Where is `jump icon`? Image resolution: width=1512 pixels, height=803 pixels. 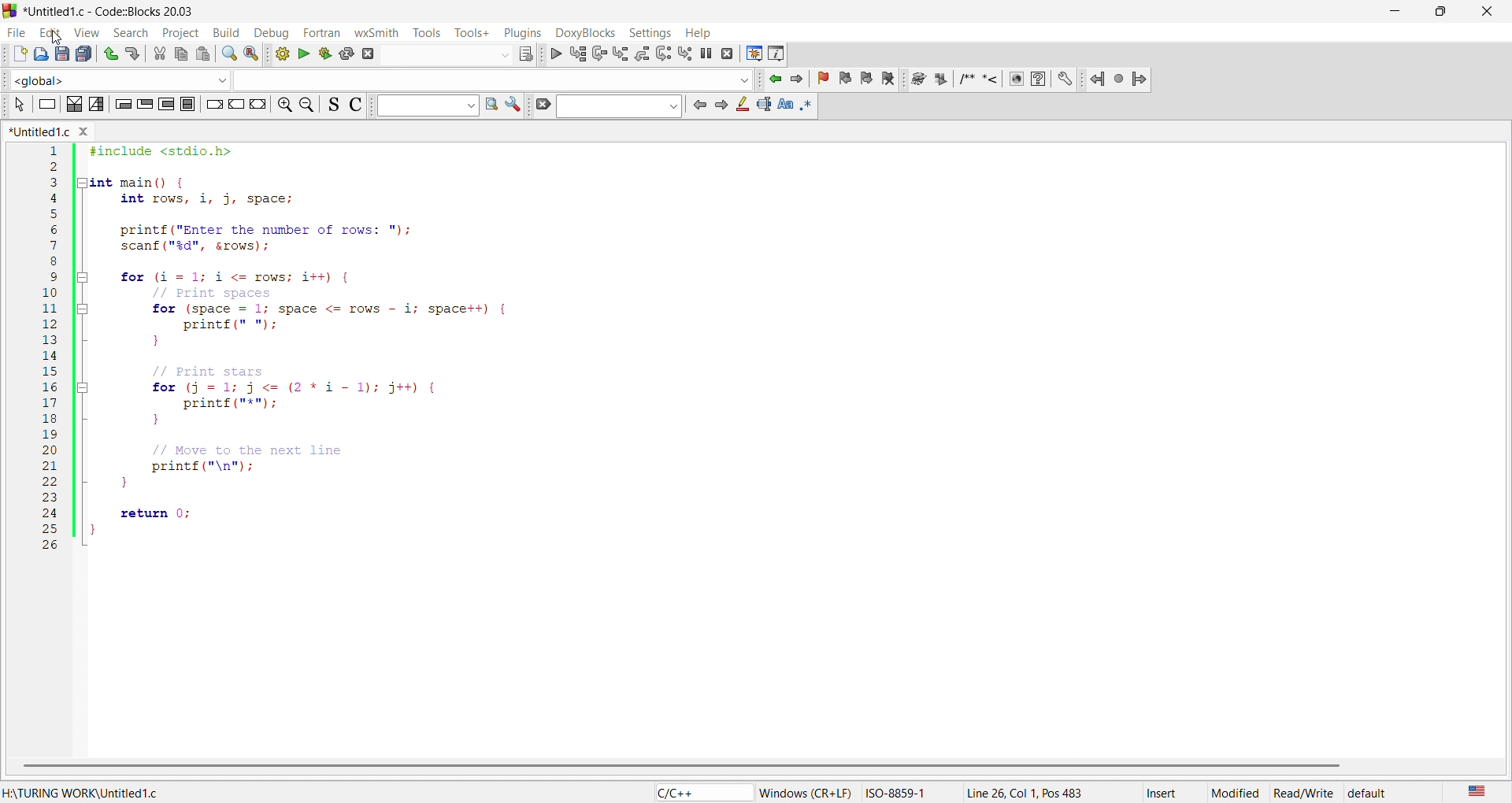
jump icon is located at coordinates (1114, 79).